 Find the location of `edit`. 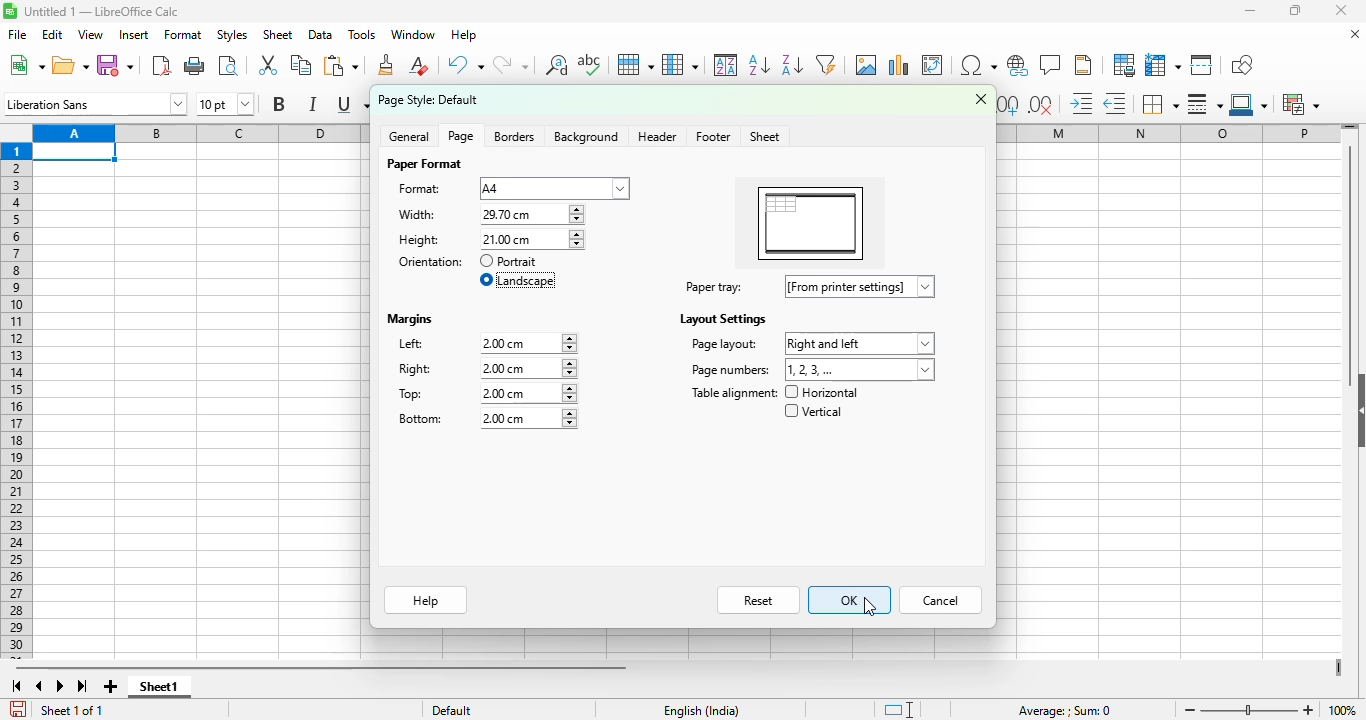

edit is located at coordinates (52, 35).